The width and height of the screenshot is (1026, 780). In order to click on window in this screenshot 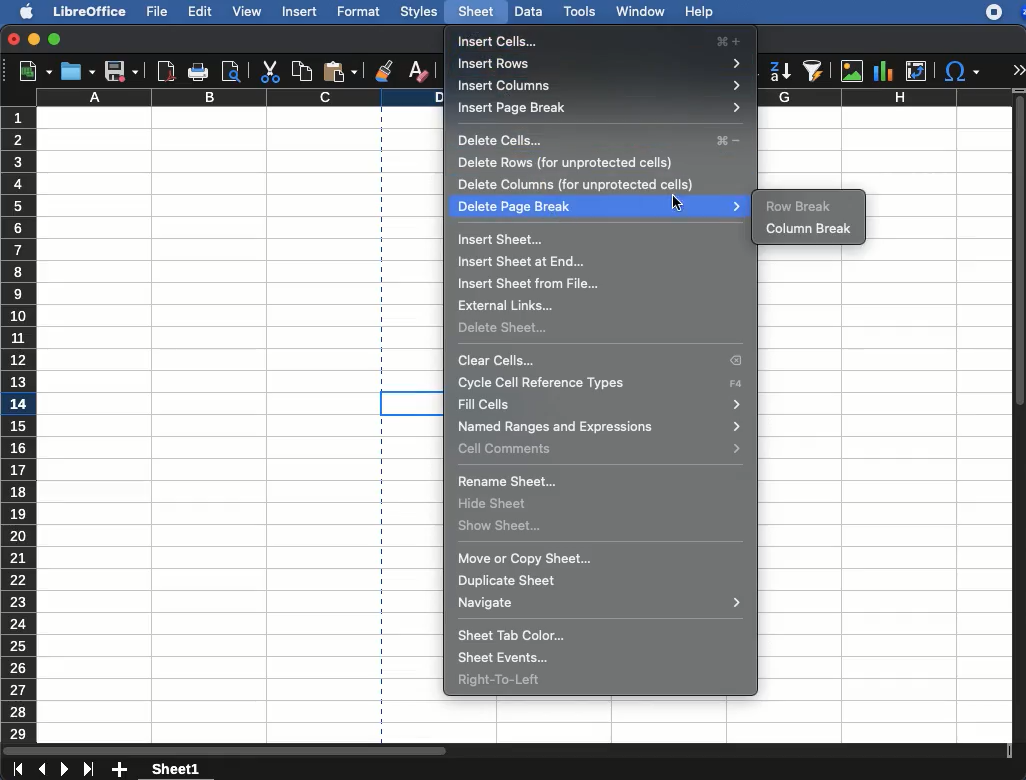, I will do `click(639, 13)`.